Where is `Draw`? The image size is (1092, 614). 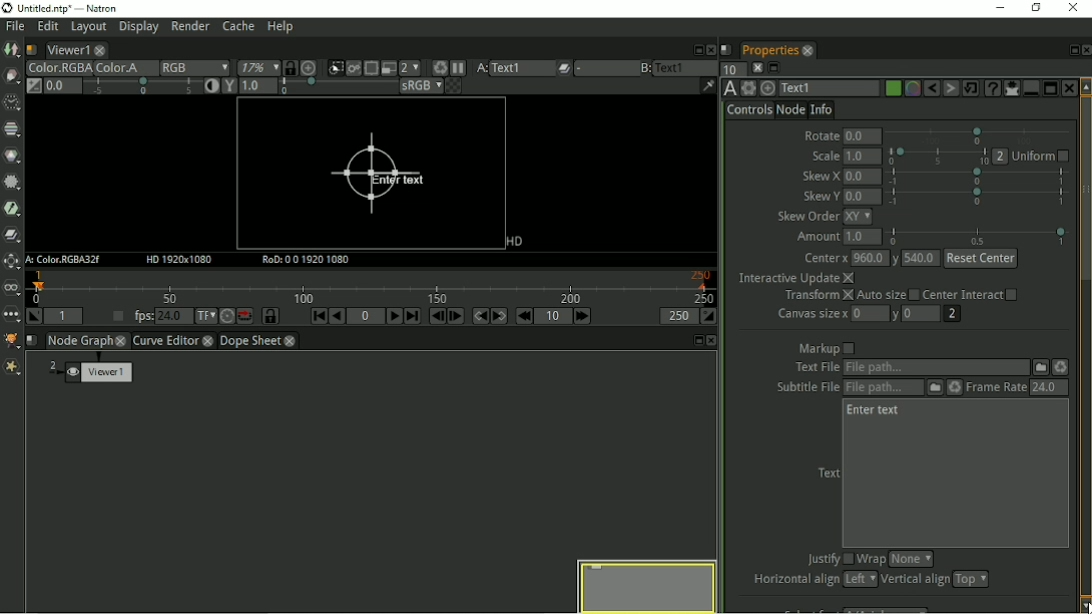
Draw is located at coordinates (11, 75).